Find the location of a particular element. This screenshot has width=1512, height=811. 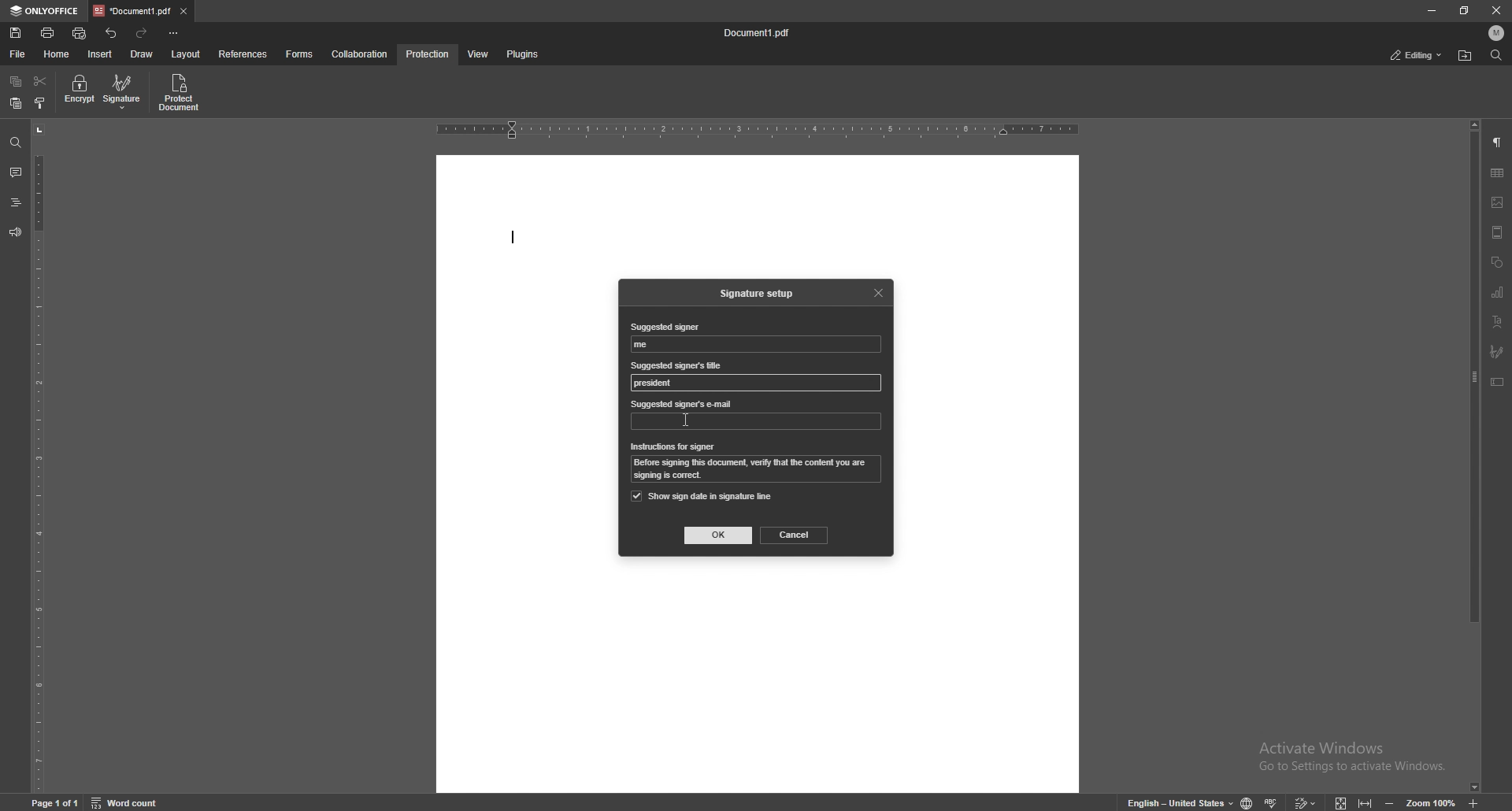

image is located at coordinates (1498, 202).